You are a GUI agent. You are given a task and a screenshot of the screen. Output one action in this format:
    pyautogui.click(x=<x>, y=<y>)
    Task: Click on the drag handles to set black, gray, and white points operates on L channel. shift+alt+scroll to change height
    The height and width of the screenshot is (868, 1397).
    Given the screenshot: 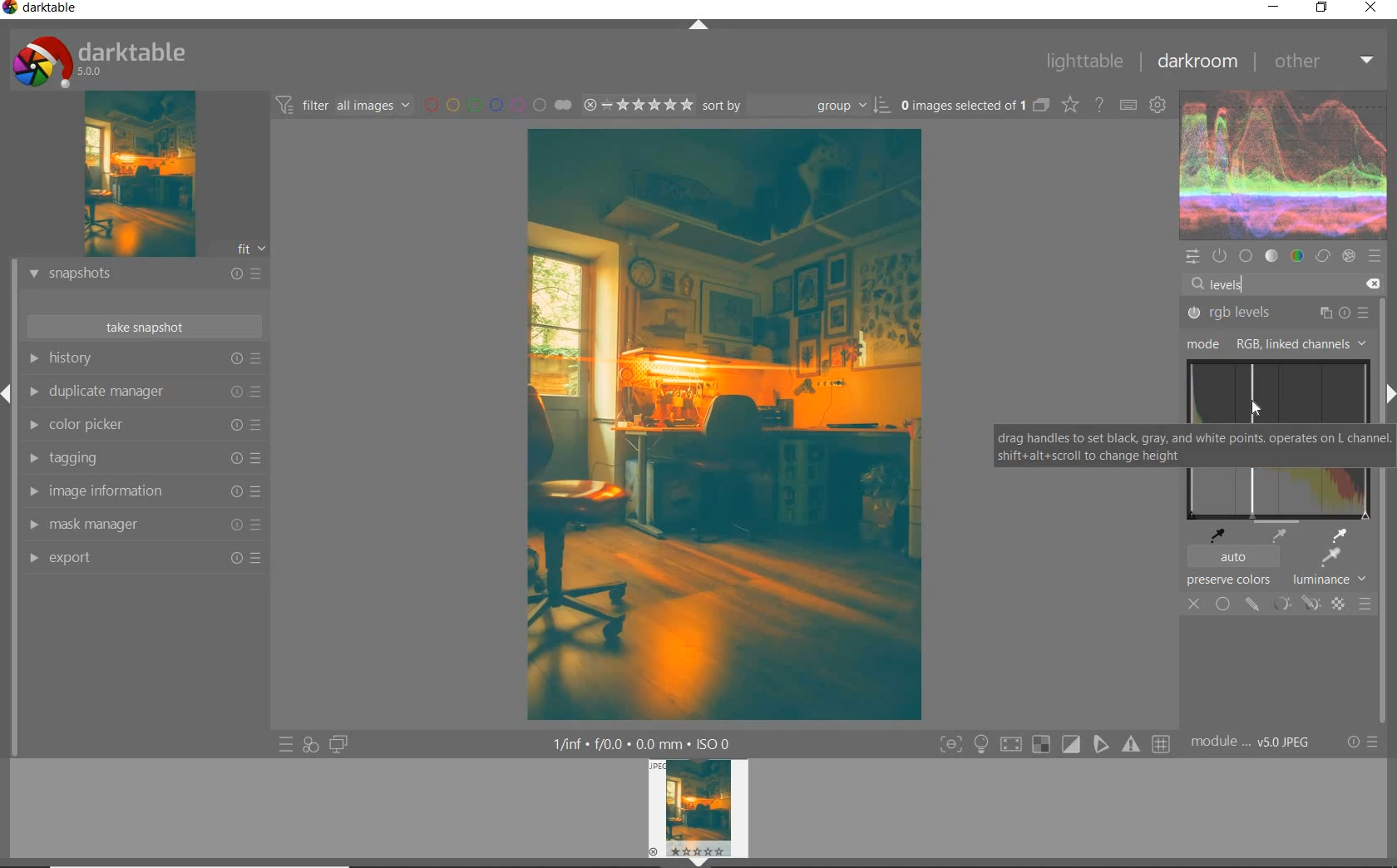 What is the action you would take?
    pyautogui.click(x=1182, y=446)
    